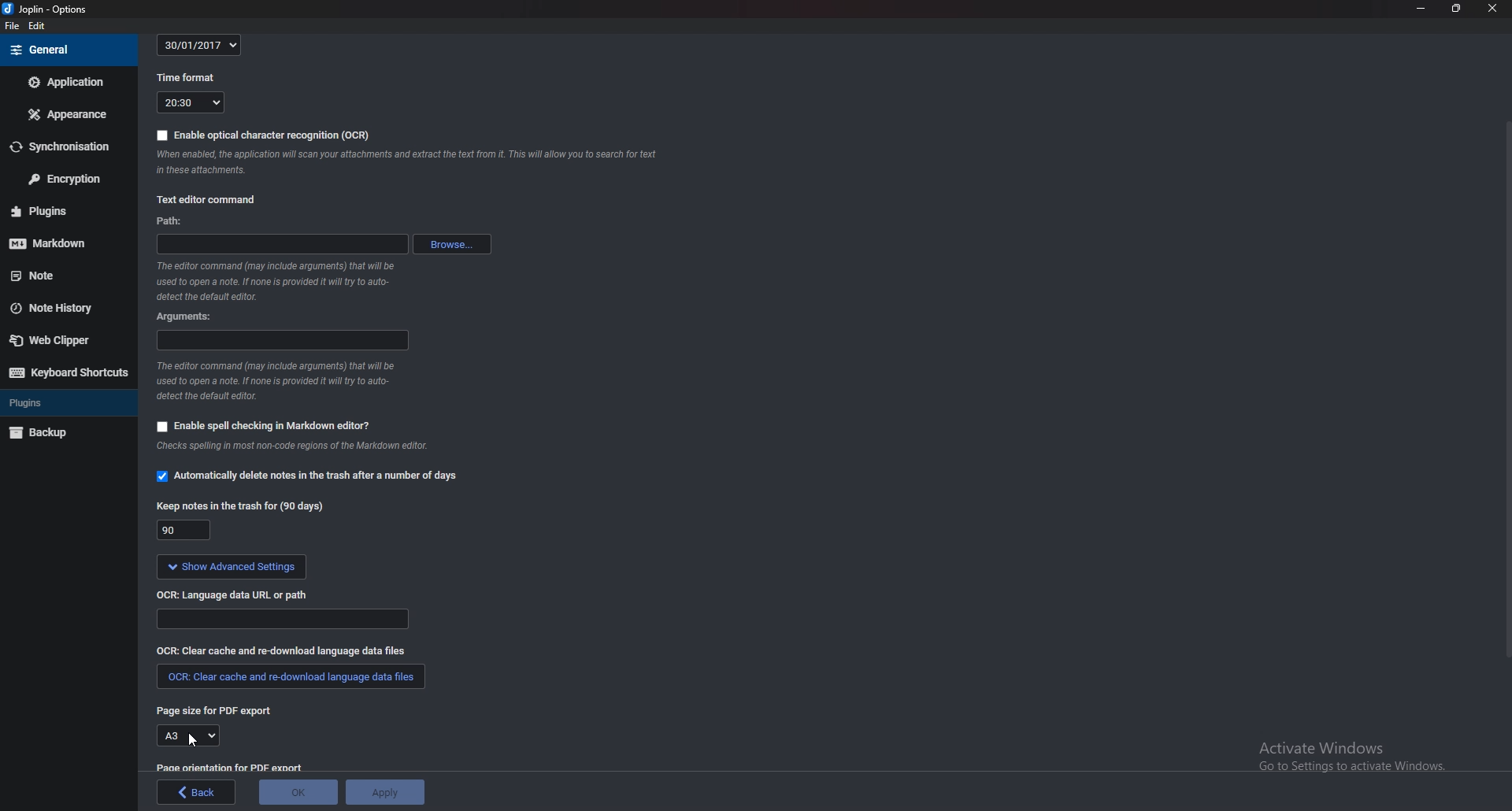 The image size is (1512, 811). Describe the element at coordinates (196, 792) in the screenshot. I see `back` at that location.